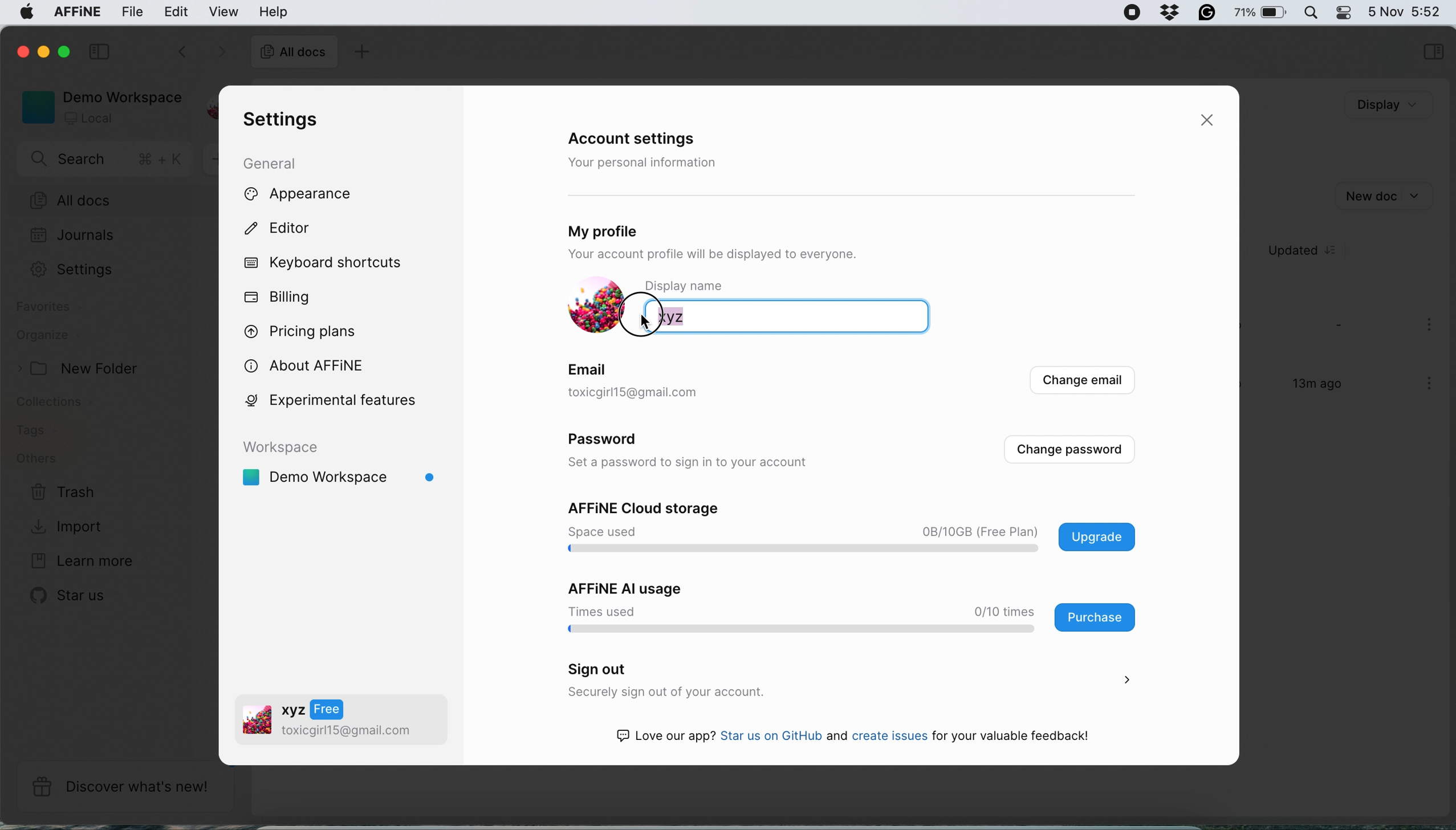 This screenshot has height=830, width=1456. What do you see at coordinates (199, 53) in the screenshot?
I see `switch between documents` at bounding box center [199, 53].